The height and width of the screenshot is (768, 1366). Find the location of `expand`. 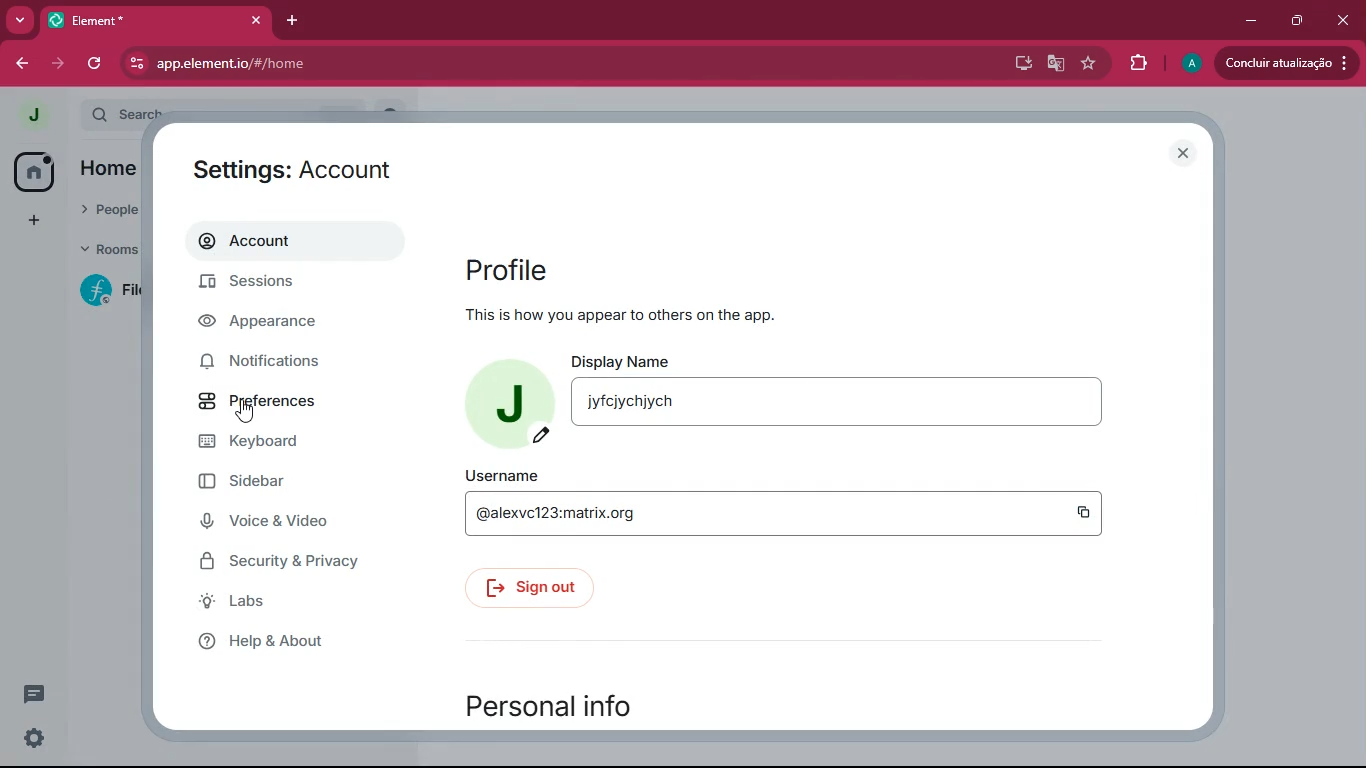

expand is located at coordinates (69, 116).